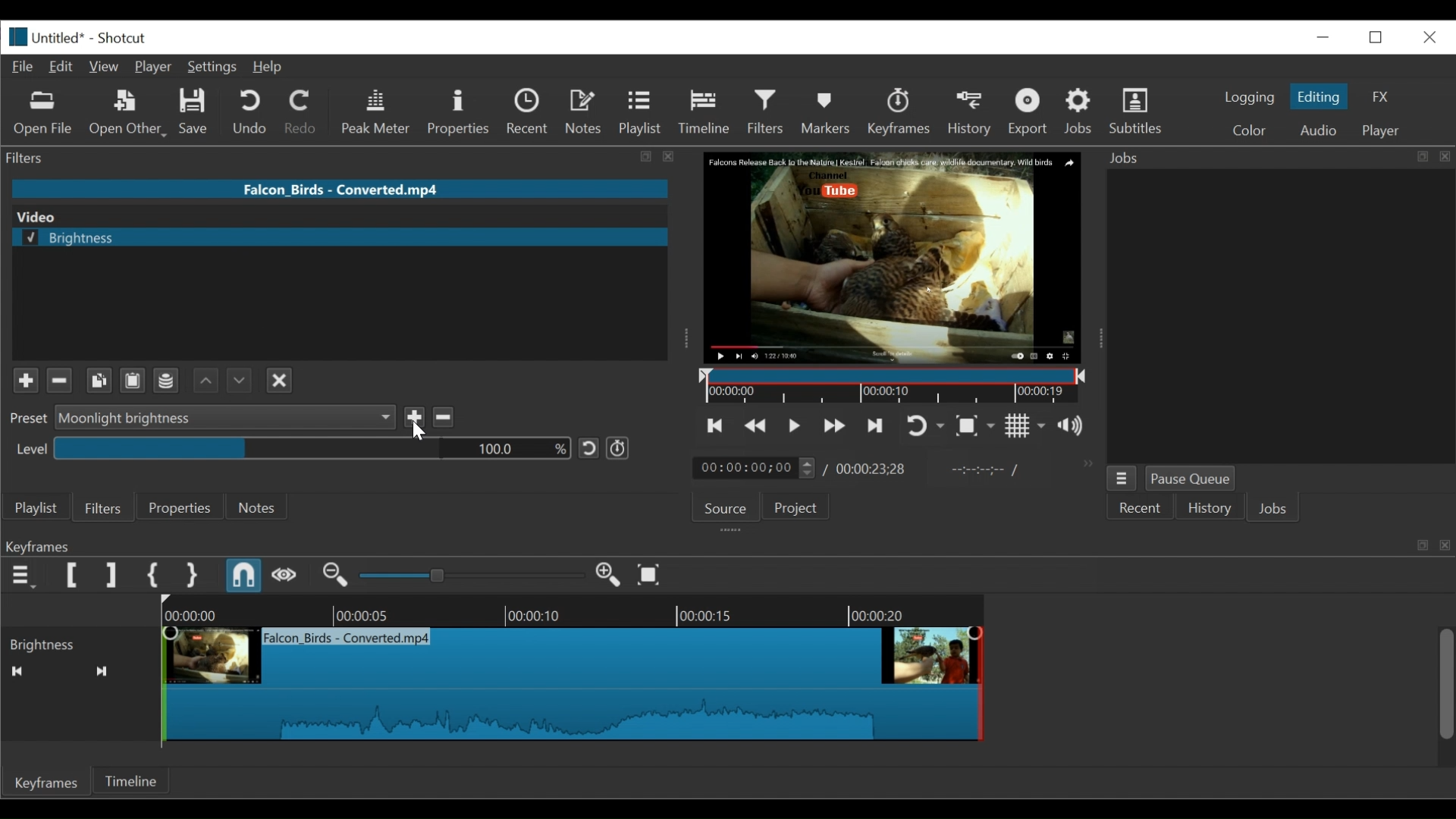 The image size is (1456, 819). Describe the element at coordinates (304, 113) in the screenshot. I see `Redo` at that location.